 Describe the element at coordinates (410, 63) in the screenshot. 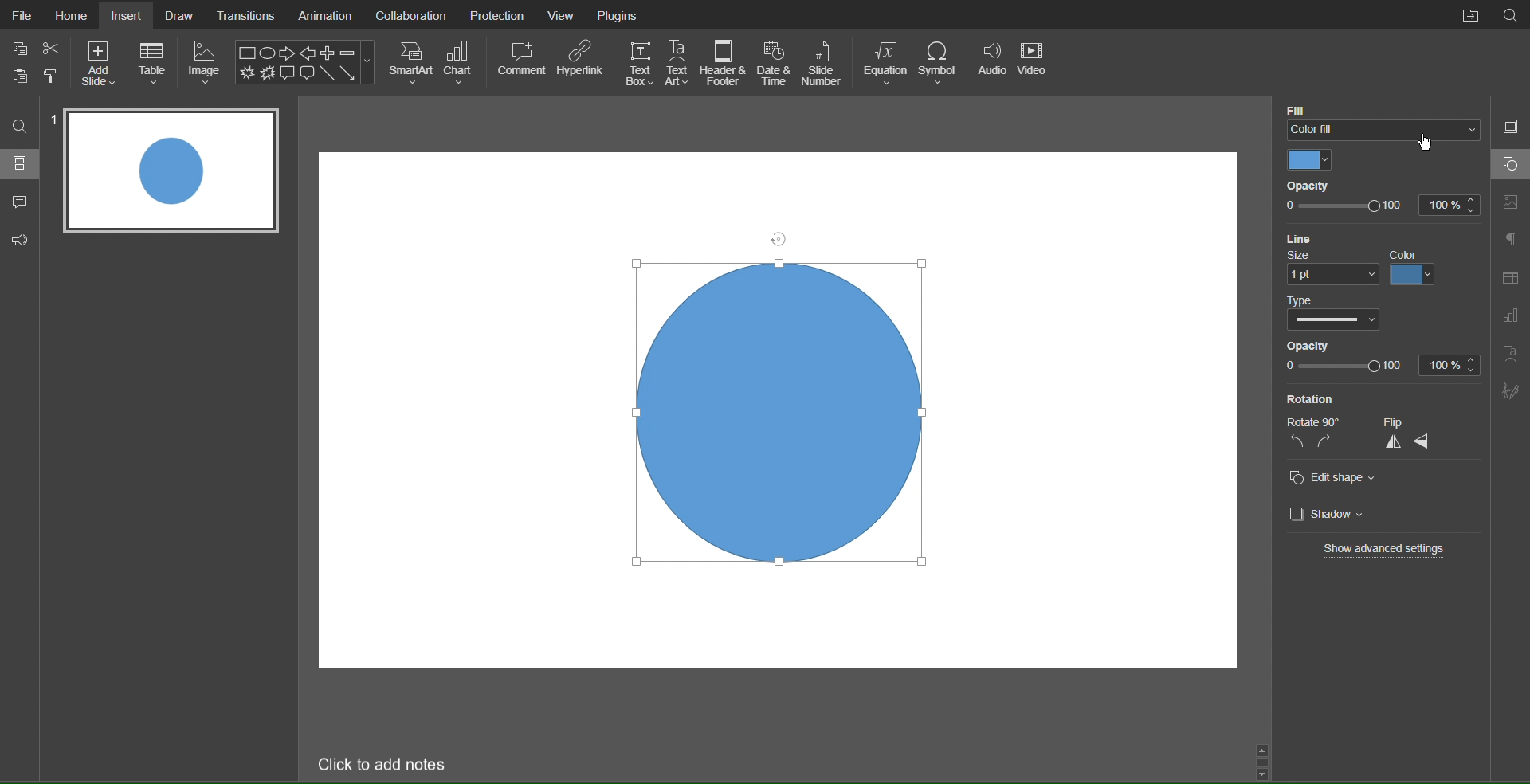

I see `SmartArt` at that location.